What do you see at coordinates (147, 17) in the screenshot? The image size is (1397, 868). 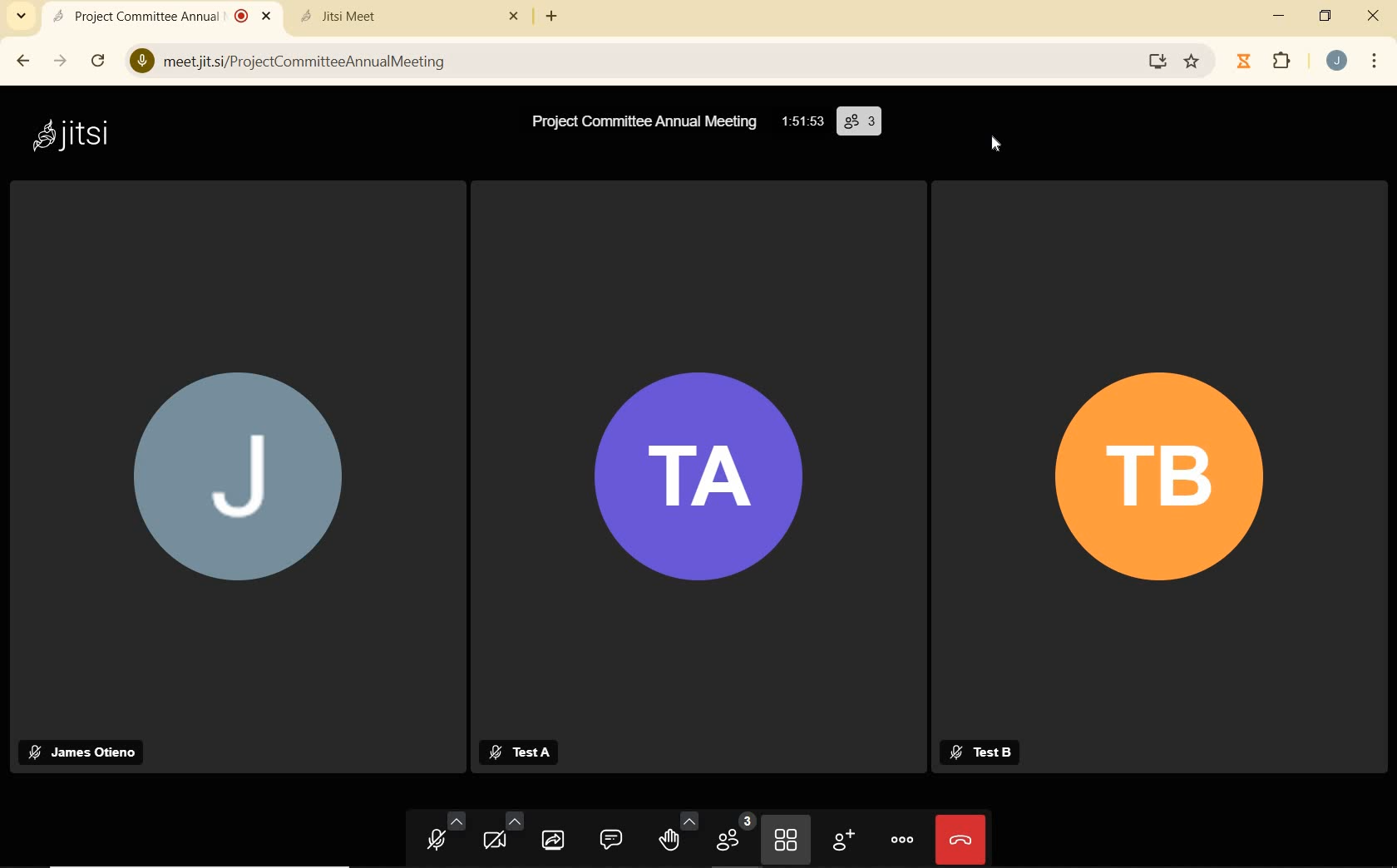 I see `current open tab` at bounding box center [147, 17].